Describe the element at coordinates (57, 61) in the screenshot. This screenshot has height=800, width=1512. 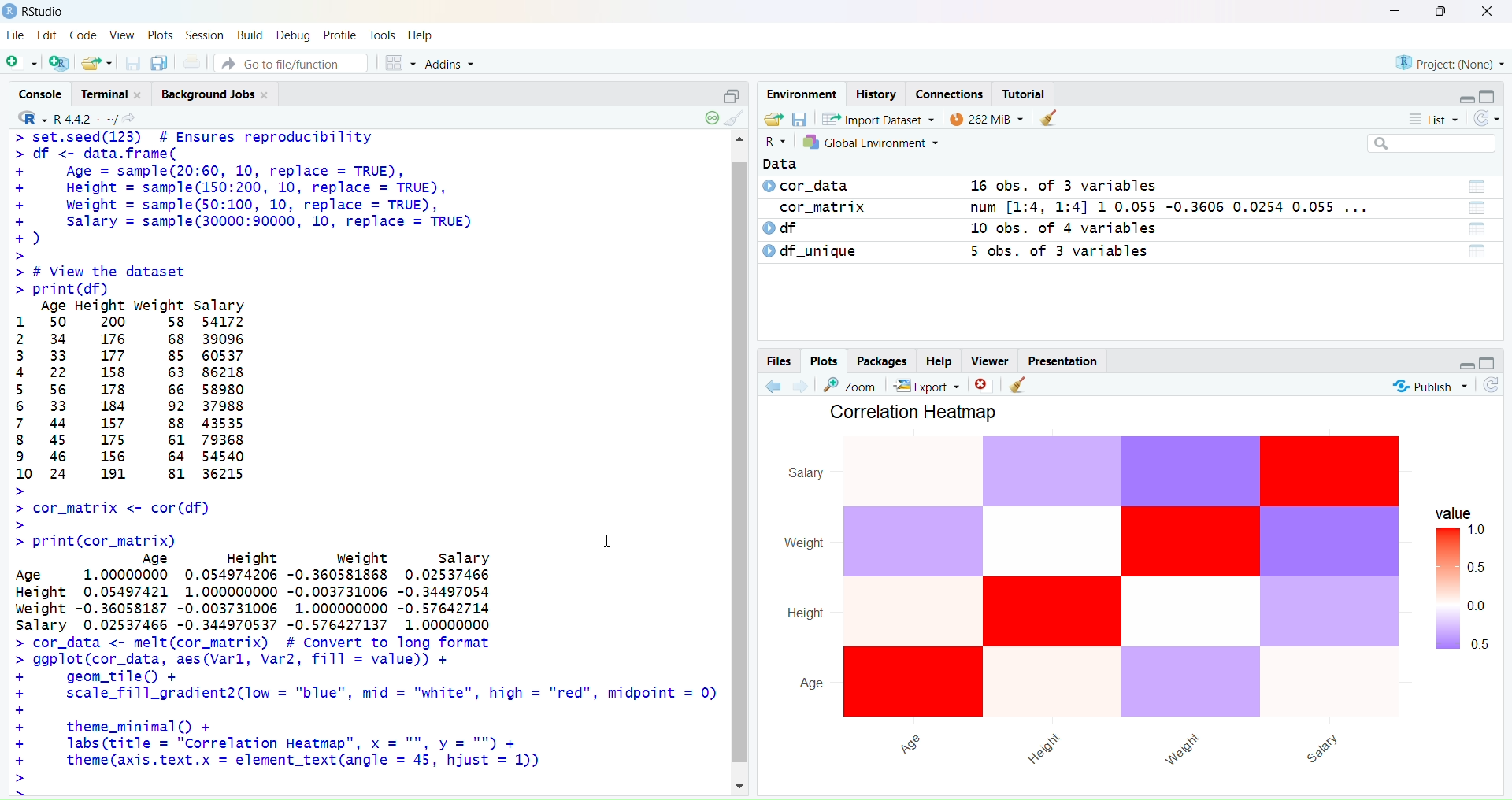
I see `Create a project` at that location.